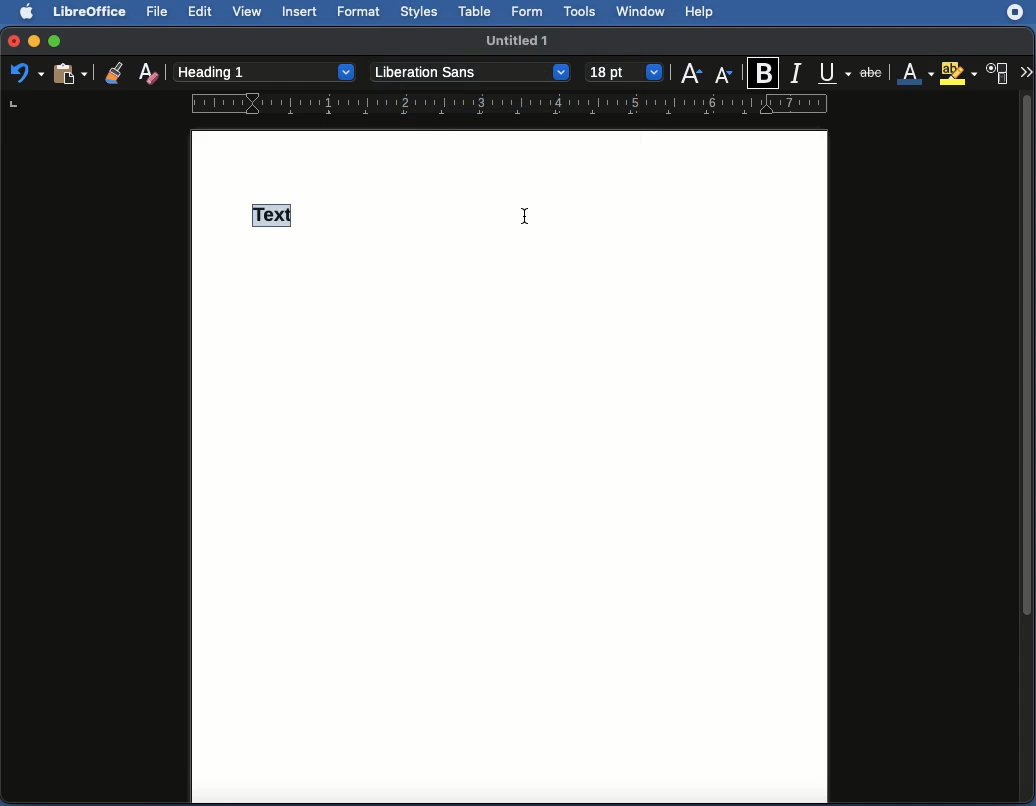  What do you see at coordinates (12, 41) in the screenshot?
I see `Close` at bounding box center [12, 41].